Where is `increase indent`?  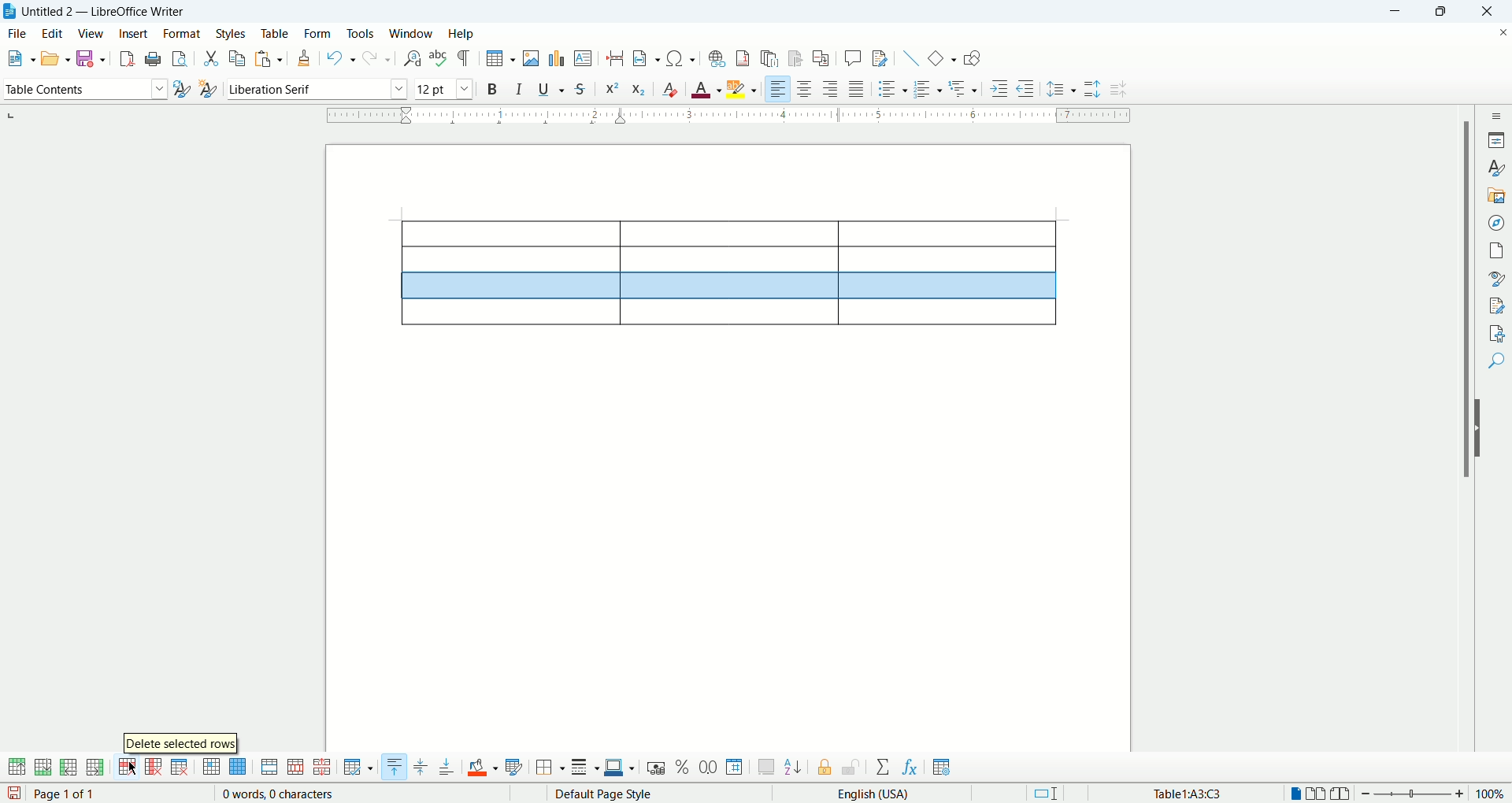 increase indent is located at coordinates (1001, 88).